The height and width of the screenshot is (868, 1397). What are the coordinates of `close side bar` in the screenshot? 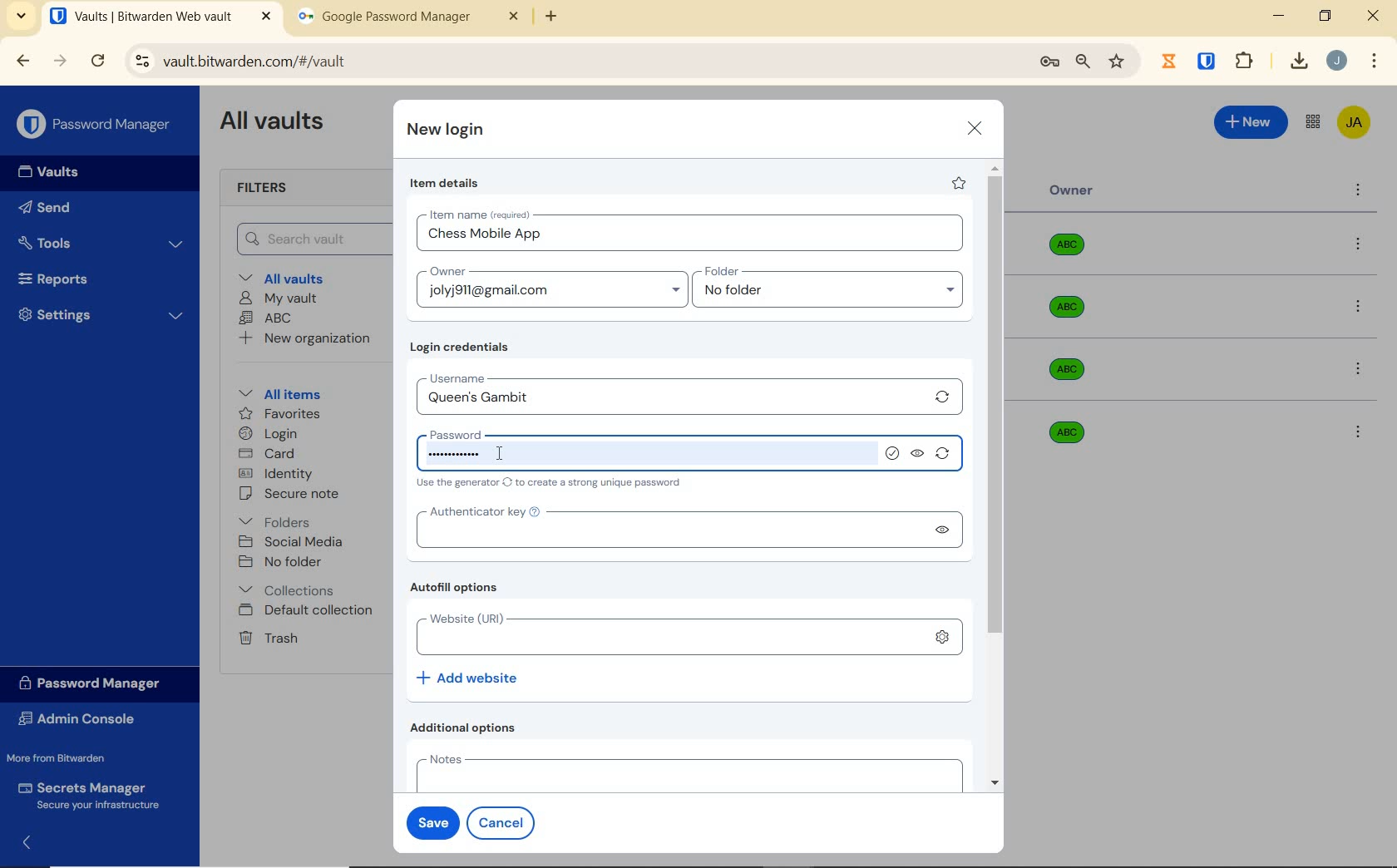 It's located at (36, 841).